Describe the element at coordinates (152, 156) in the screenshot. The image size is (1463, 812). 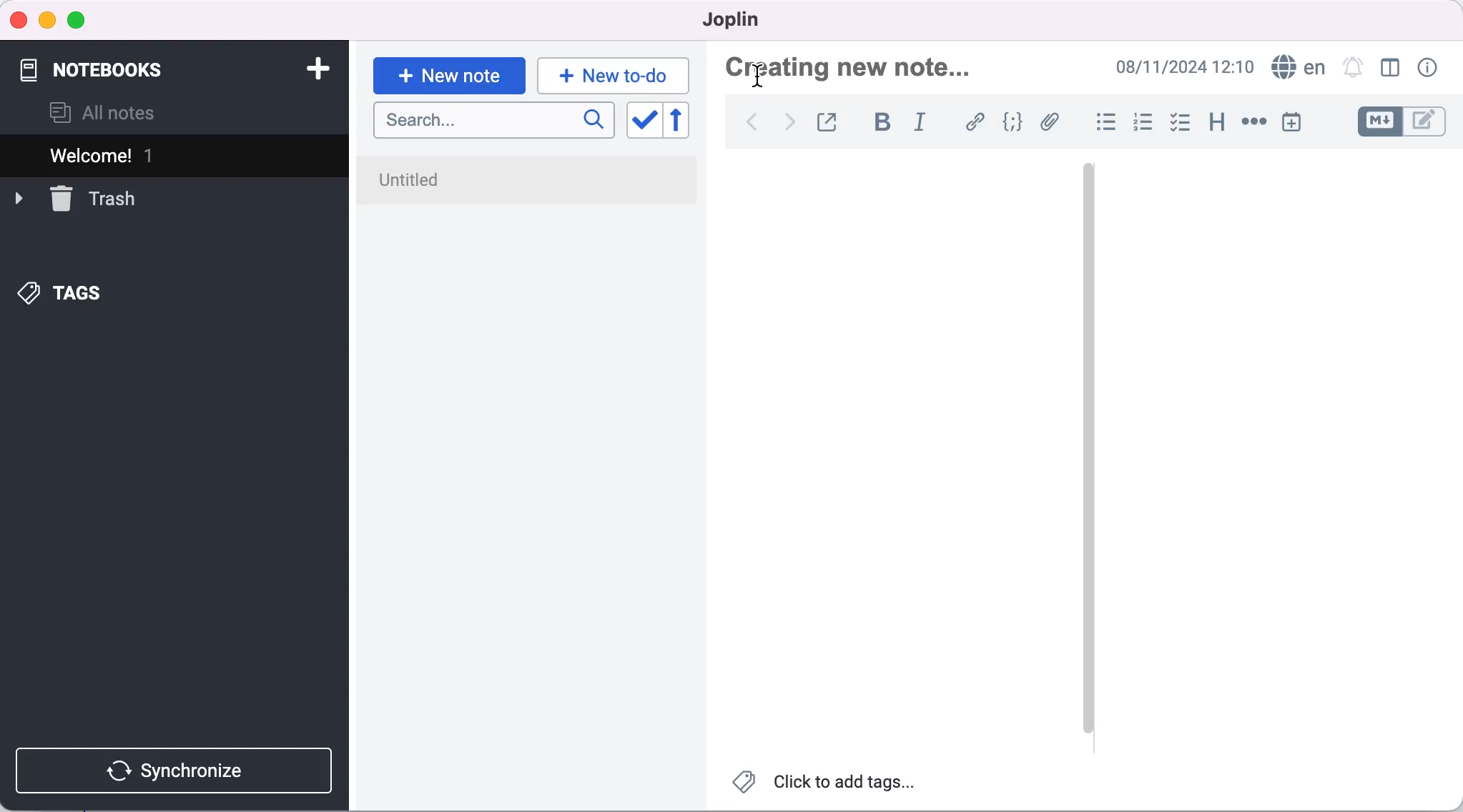
I see `welcome 1` at that location.